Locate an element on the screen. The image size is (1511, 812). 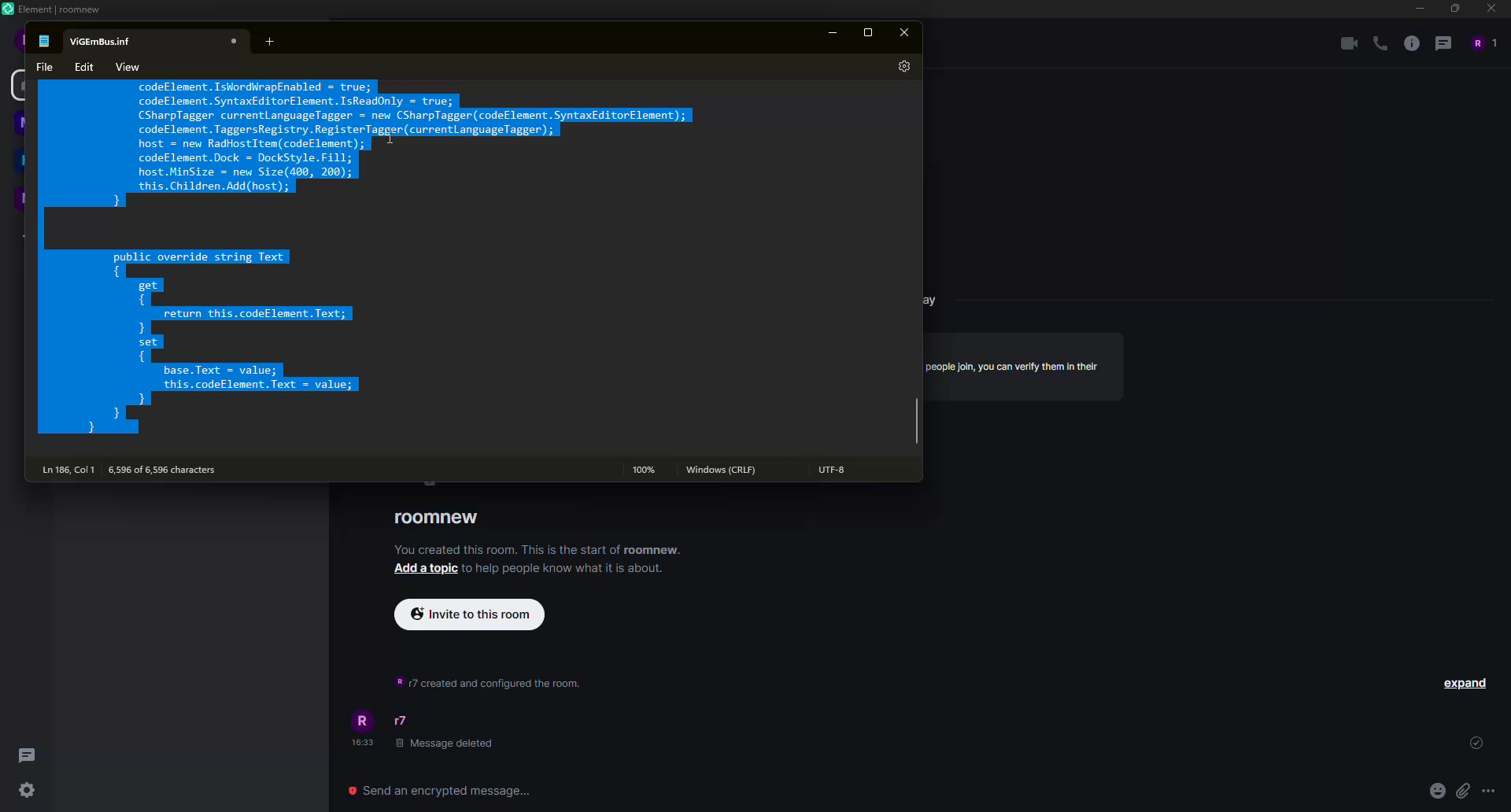
quick settings is located at coordinates (28, 792).